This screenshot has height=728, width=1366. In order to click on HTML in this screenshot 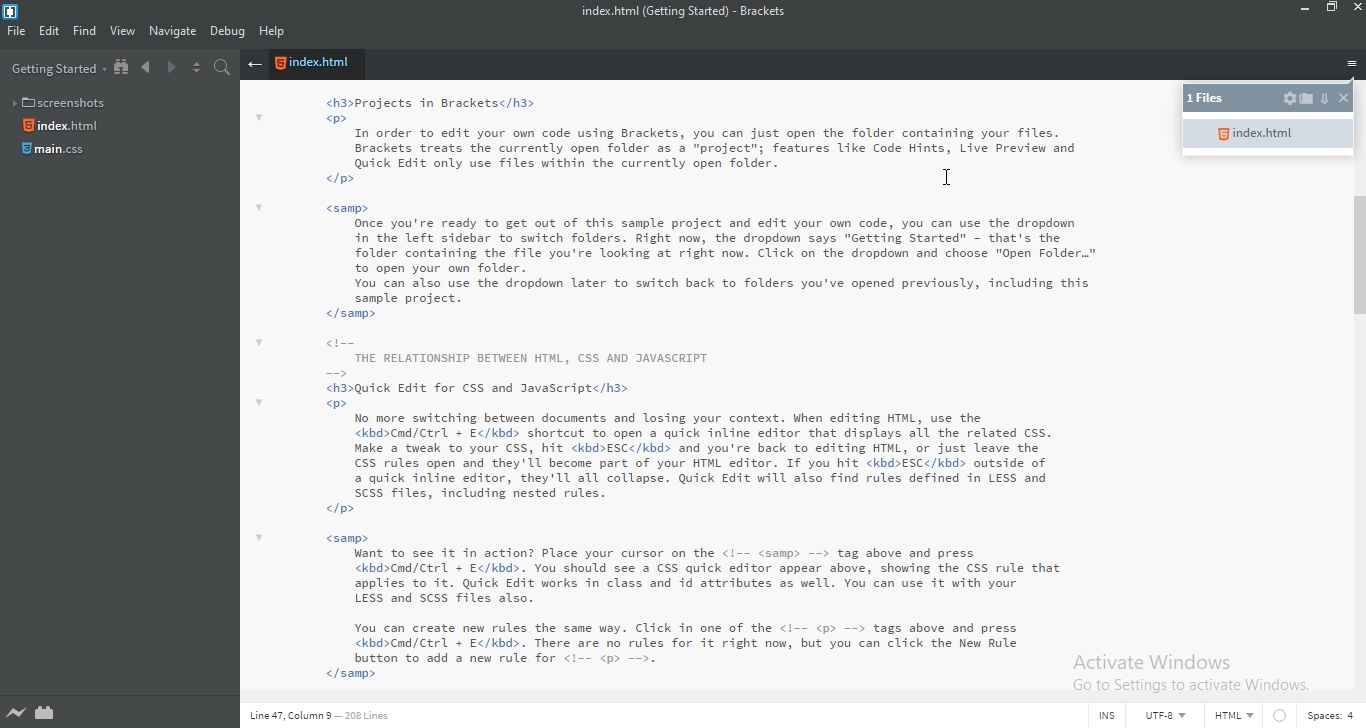, I will do `click(1237, 718)`.